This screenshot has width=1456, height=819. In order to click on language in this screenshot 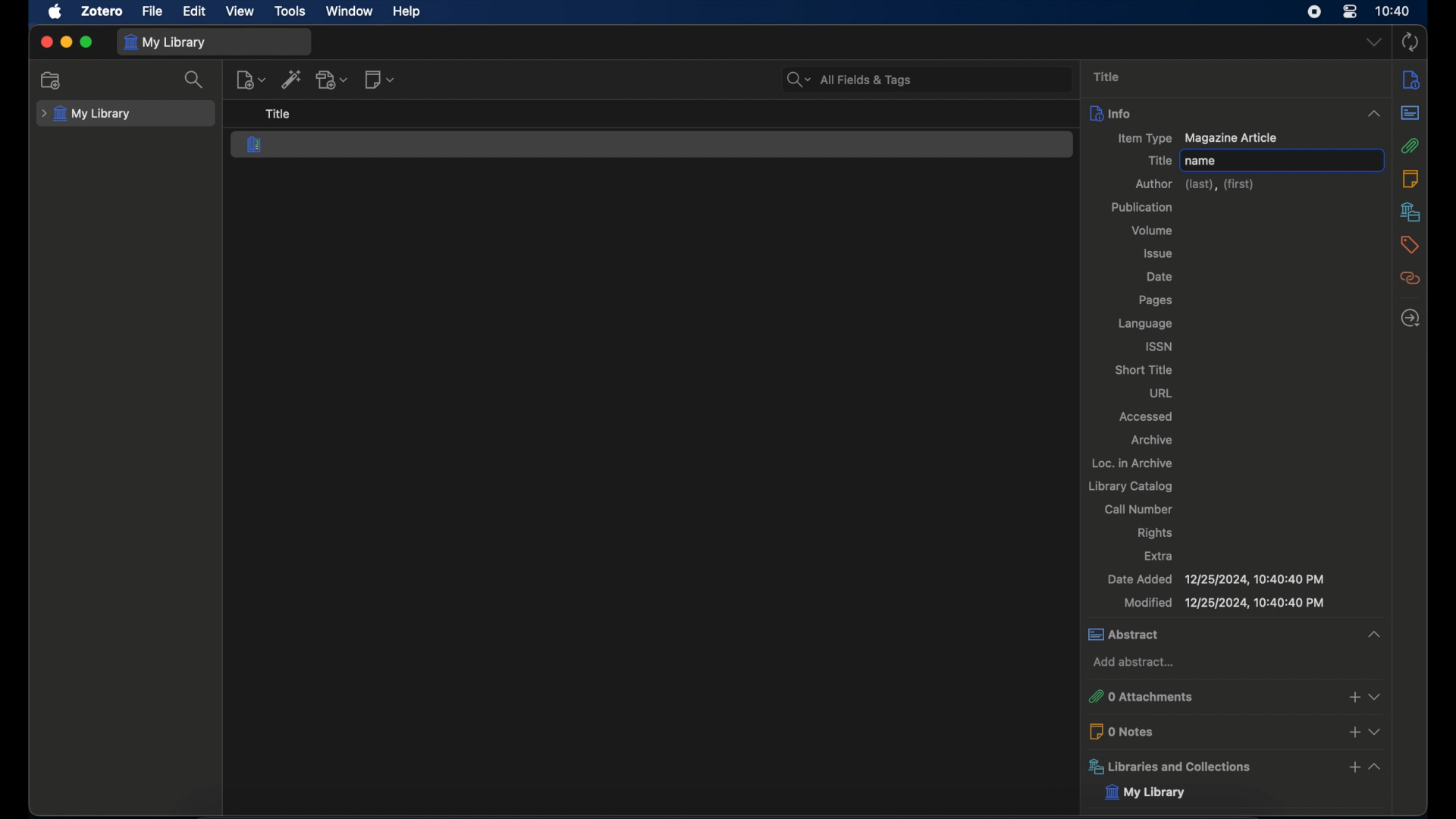, I will do `click(1145, 324)`.